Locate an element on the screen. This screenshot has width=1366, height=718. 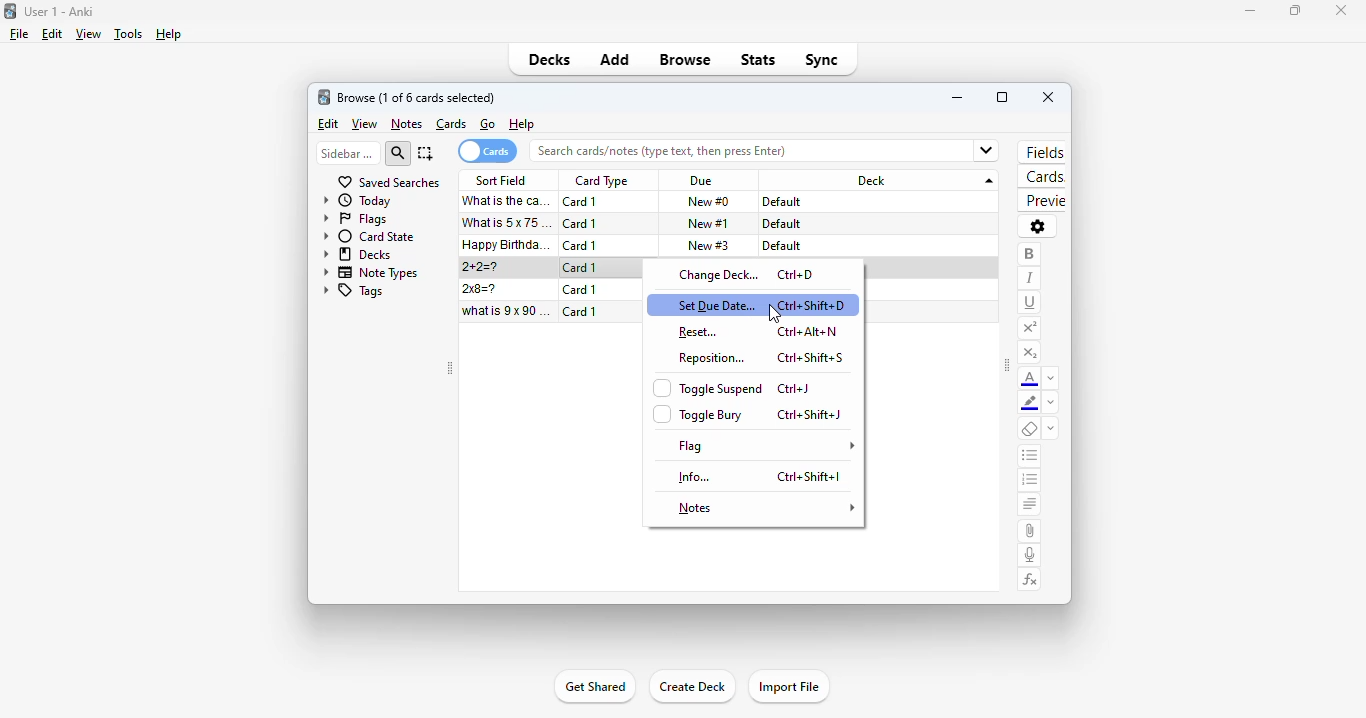
toggle sidebar is located at coordinates (1007, 367).